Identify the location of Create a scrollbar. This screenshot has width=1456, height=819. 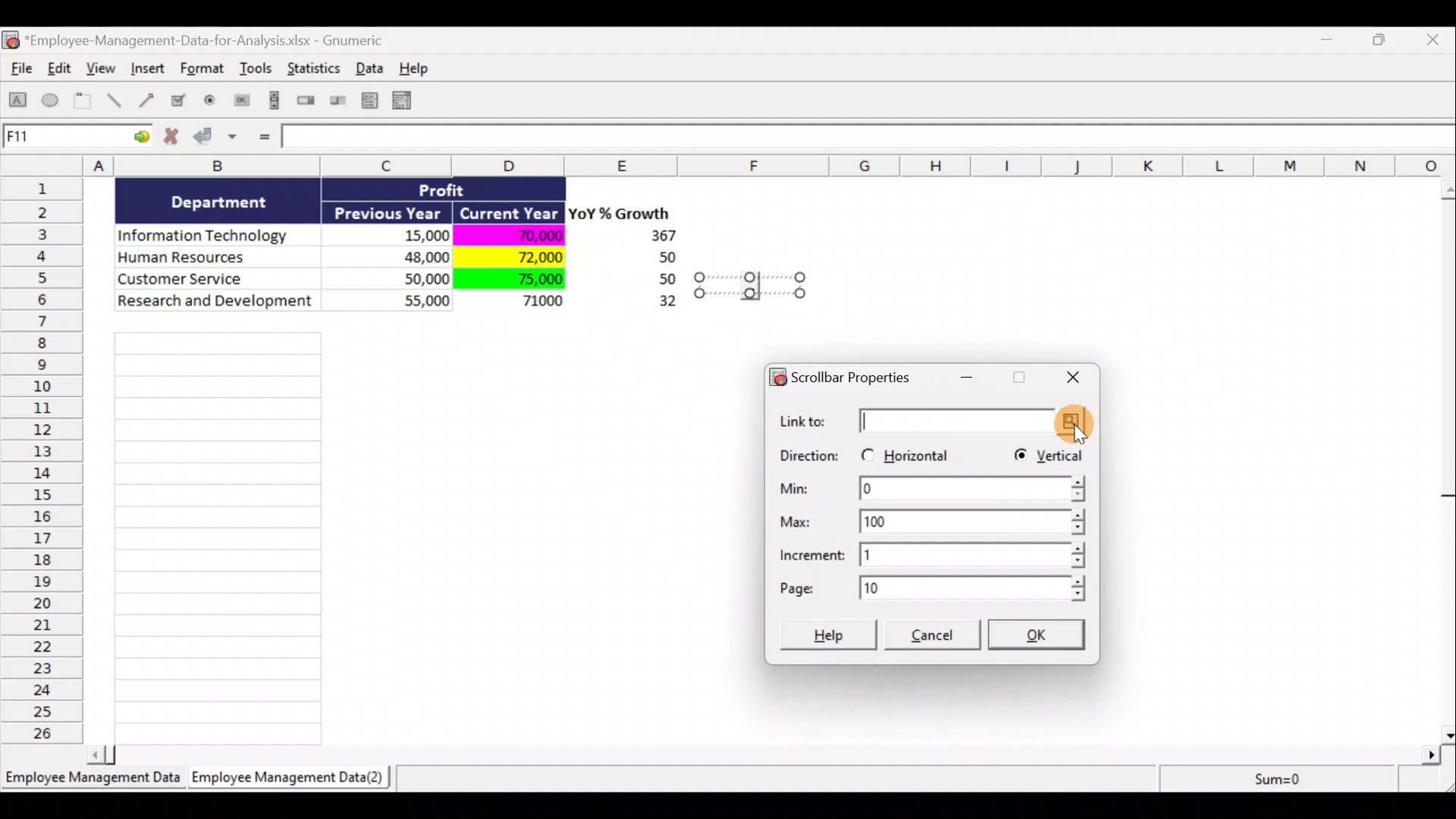
(272, 103).